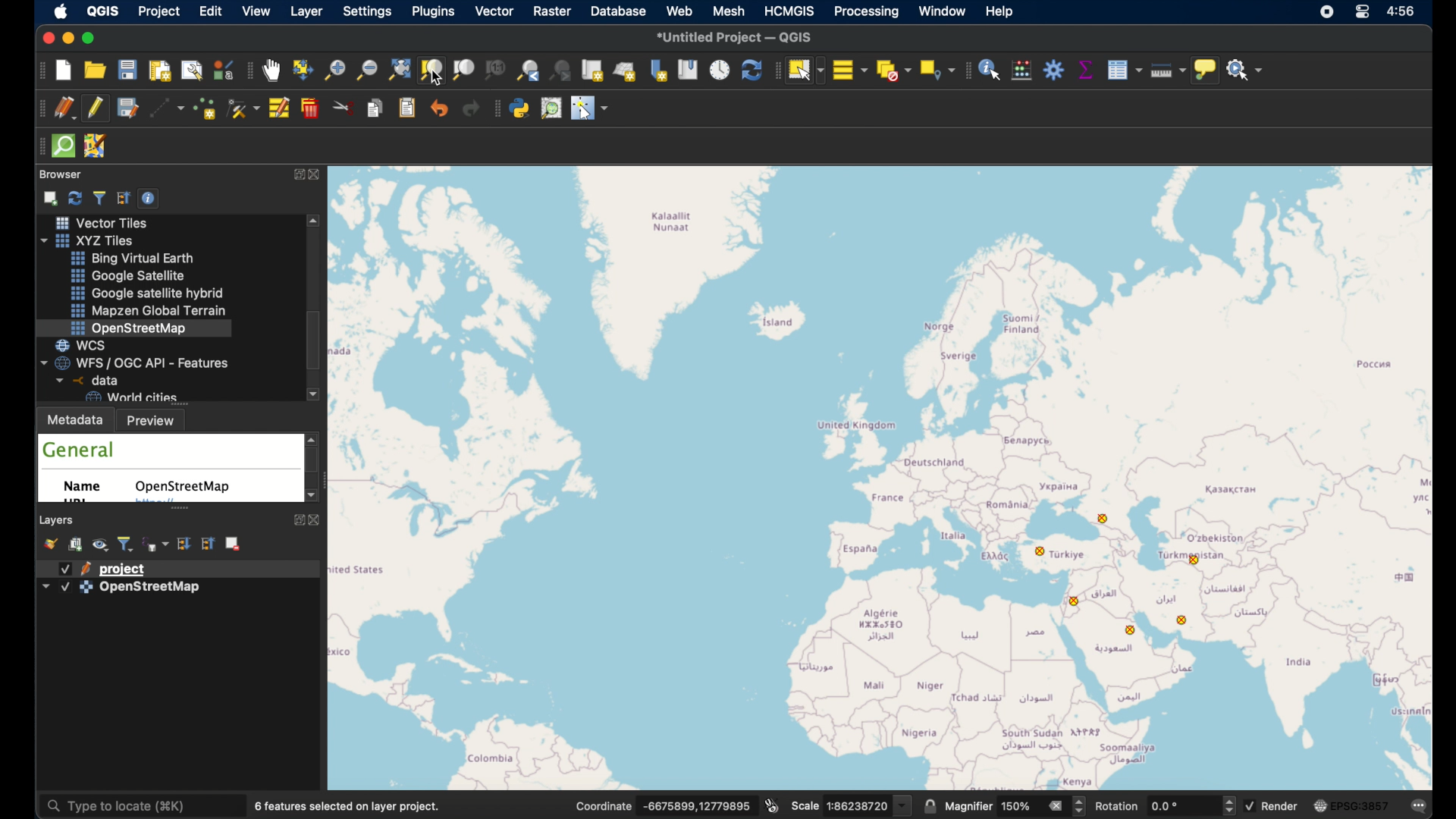 This screenshot has width=1456, height=819. Describe the element at coordinates (1053, 70) in the screenshot. I see `toolbox` at that location.